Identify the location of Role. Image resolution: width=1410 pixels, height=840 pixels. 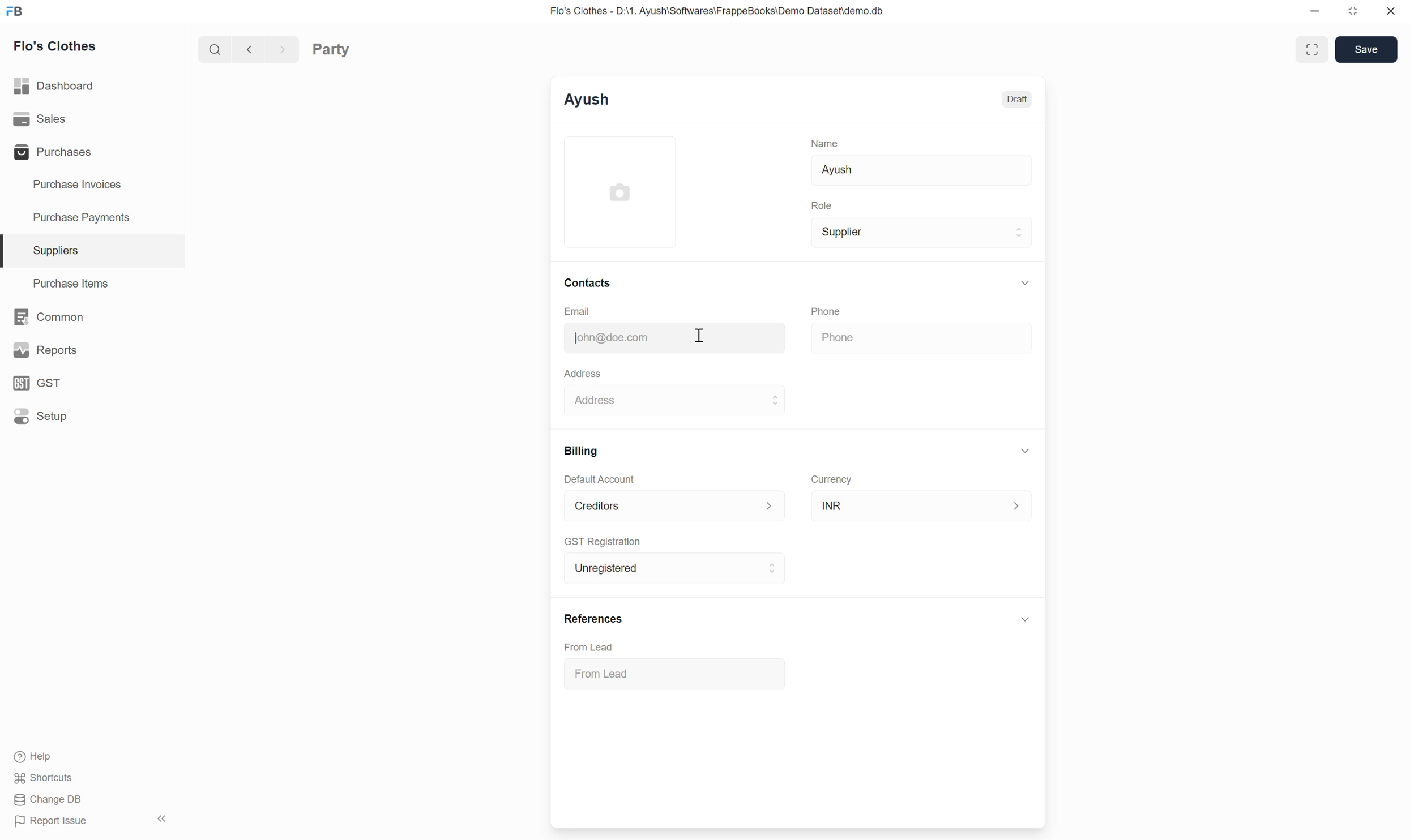
(822, 205).